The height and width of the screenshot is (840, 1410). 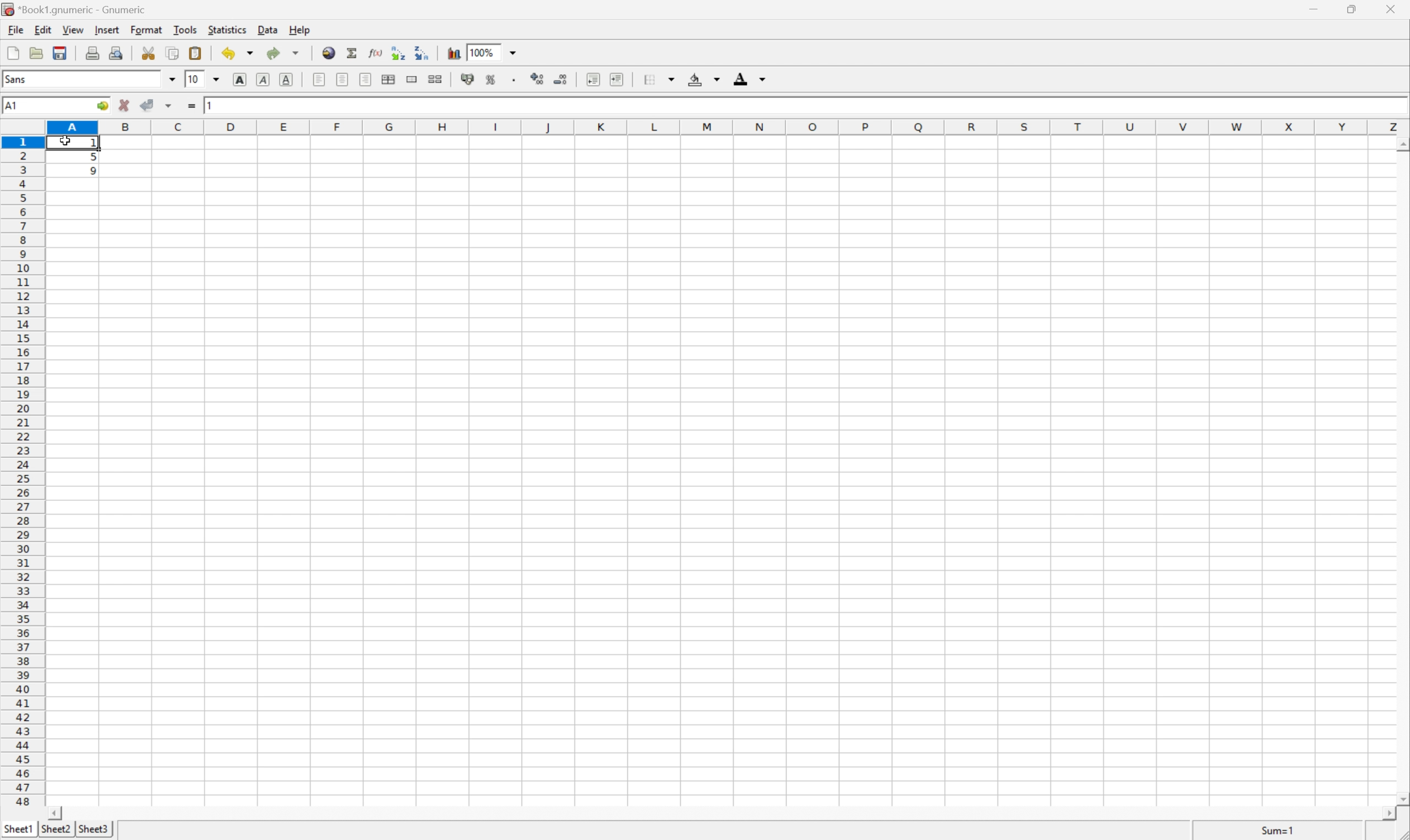 I want to click on 10, so click(x=193, y=78).